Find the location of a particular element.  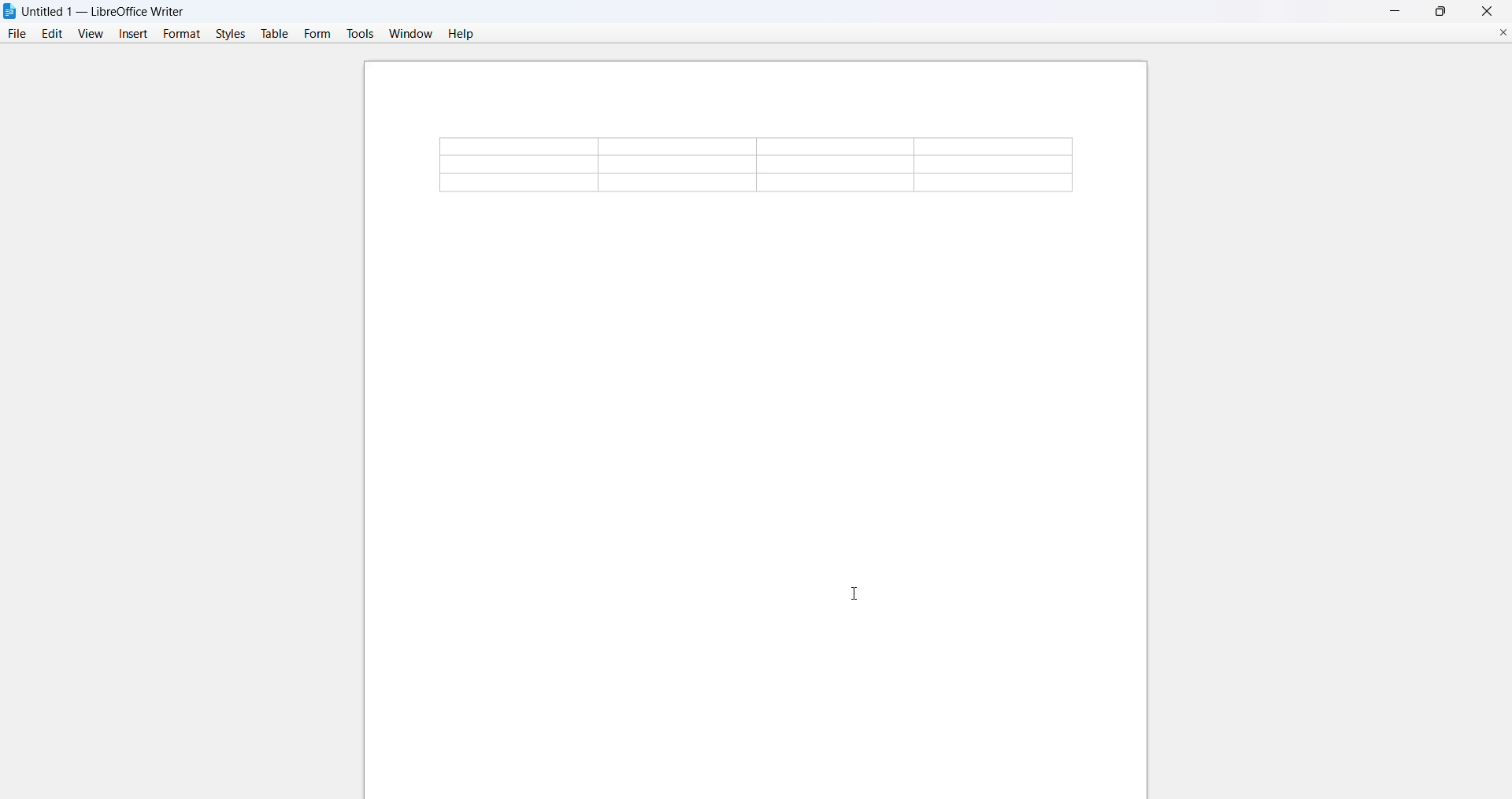

file is located at coordinates (15, 34).